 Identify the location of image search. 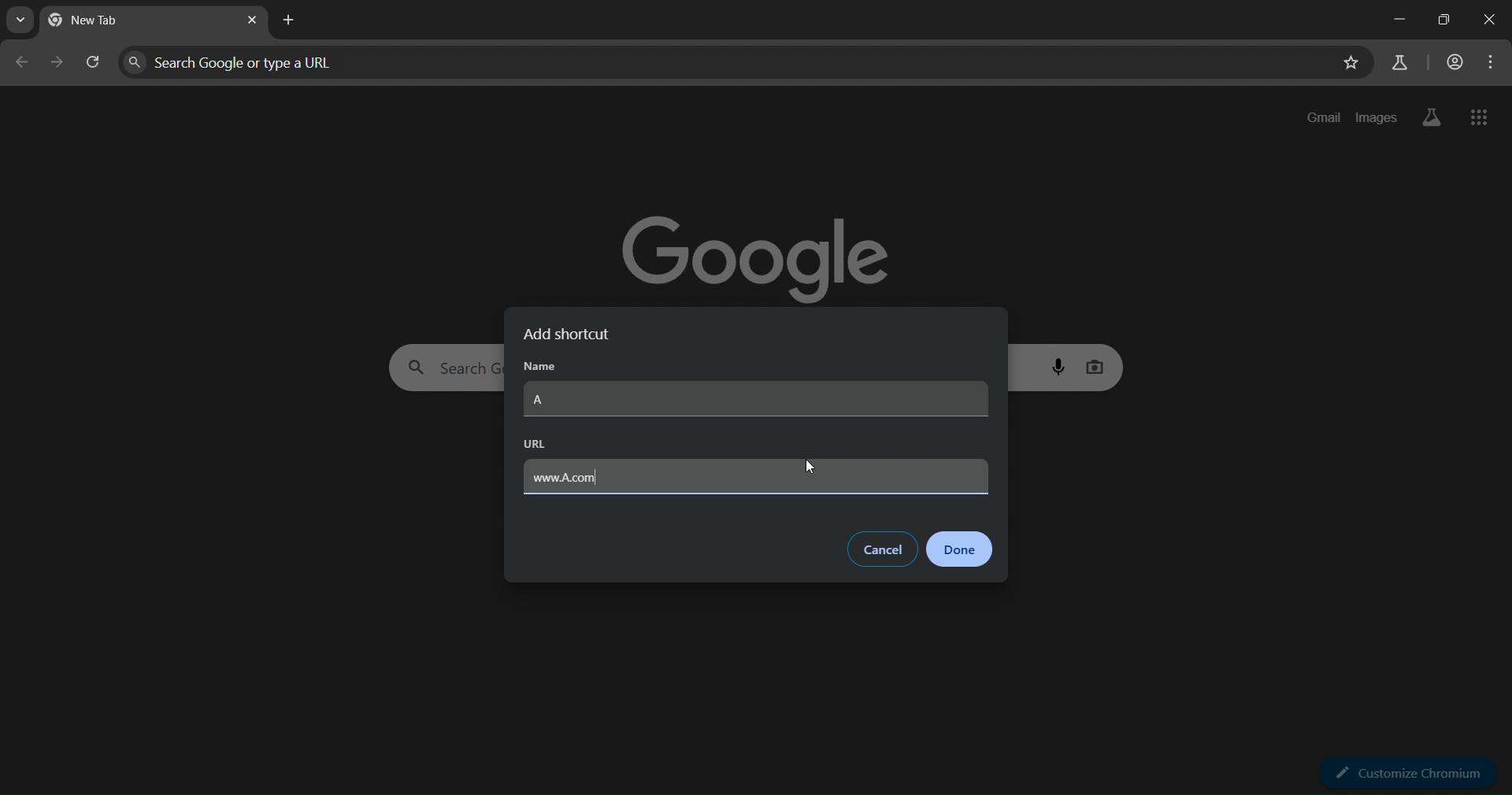
(1097, 364).